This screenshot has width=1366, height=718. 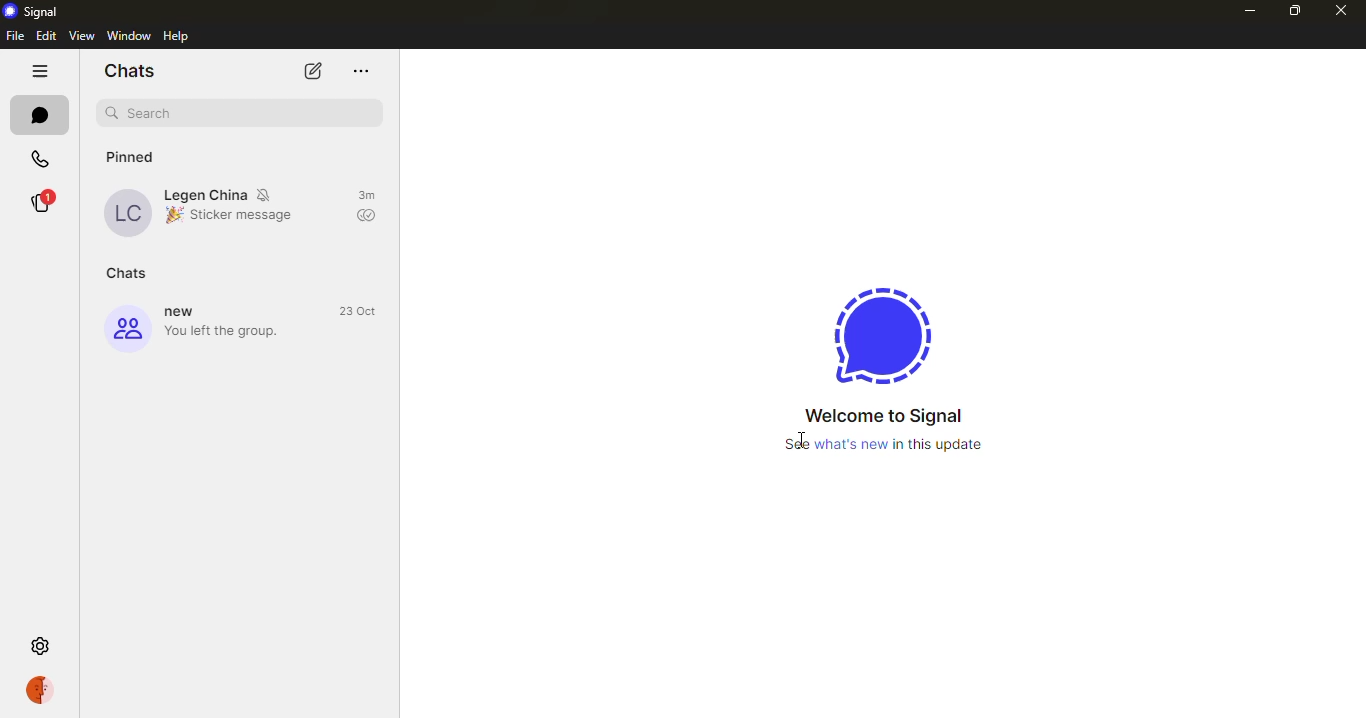 I want to click on See what's new in this update, so click(x=884, y=447).